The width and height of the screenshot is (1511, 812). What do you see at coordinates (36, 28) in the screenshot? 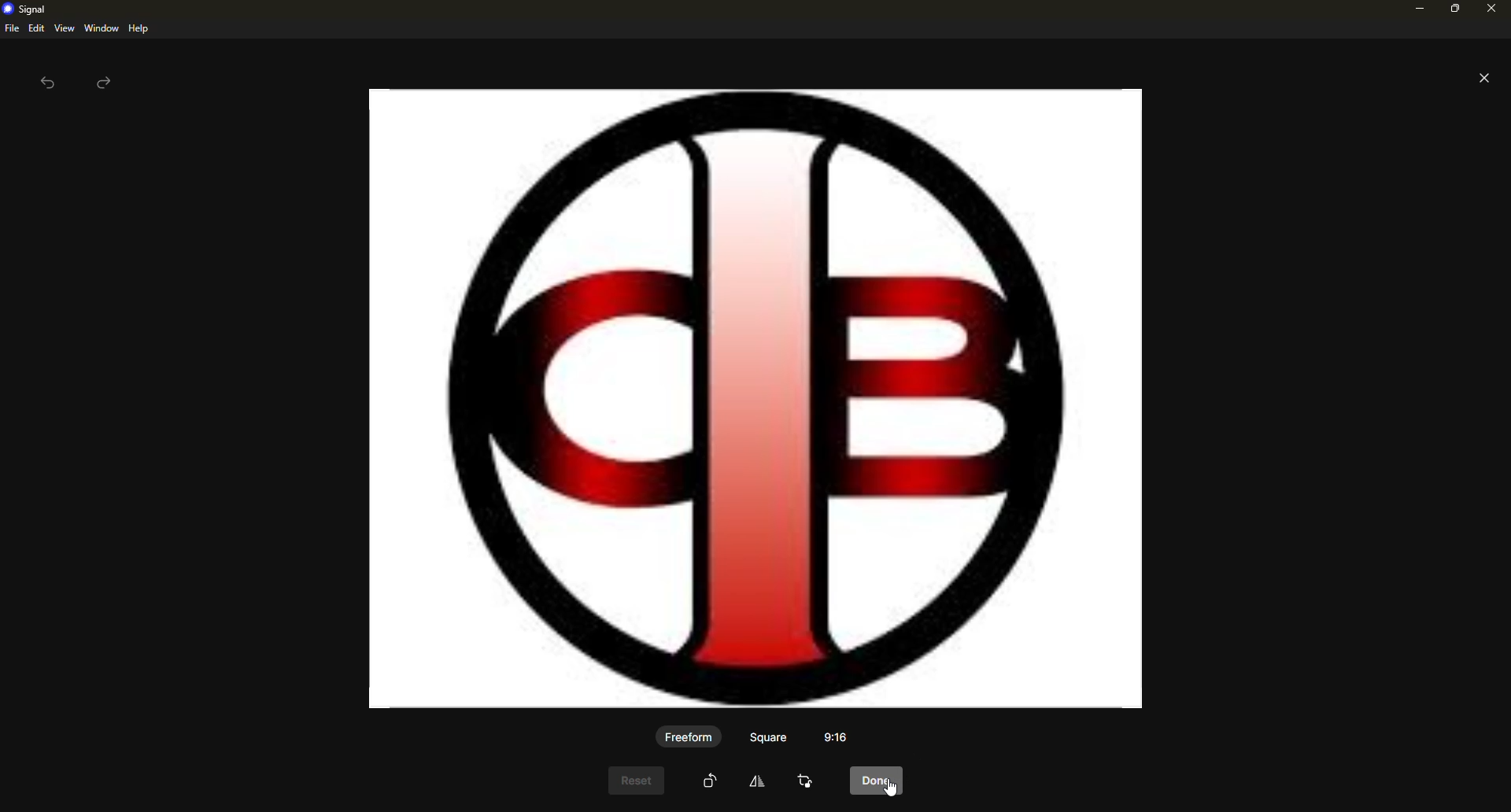
I see `edit` at bounding box center [36, 28].